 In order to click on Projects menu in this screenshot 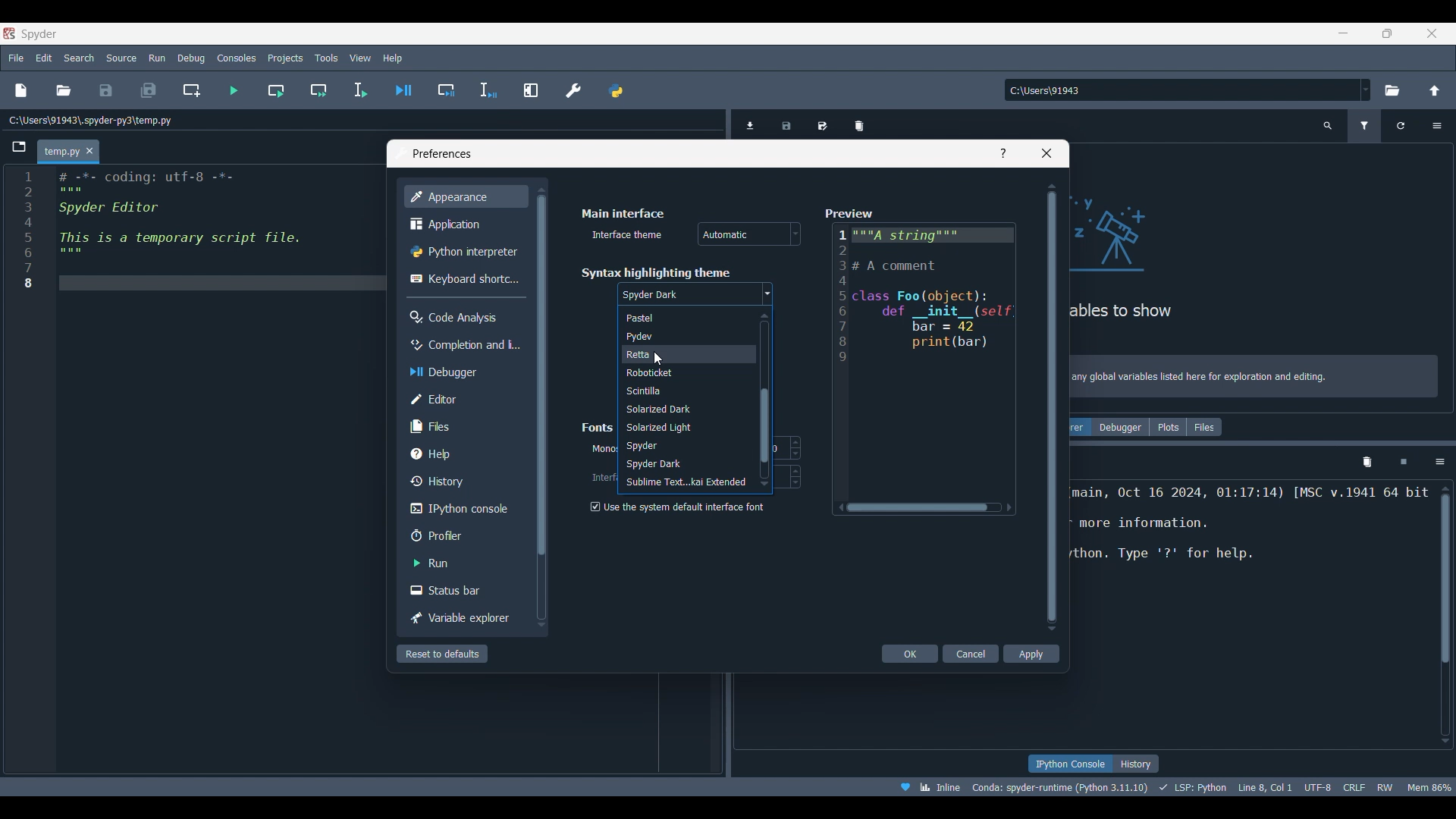, I will do `click(284, 57)`.